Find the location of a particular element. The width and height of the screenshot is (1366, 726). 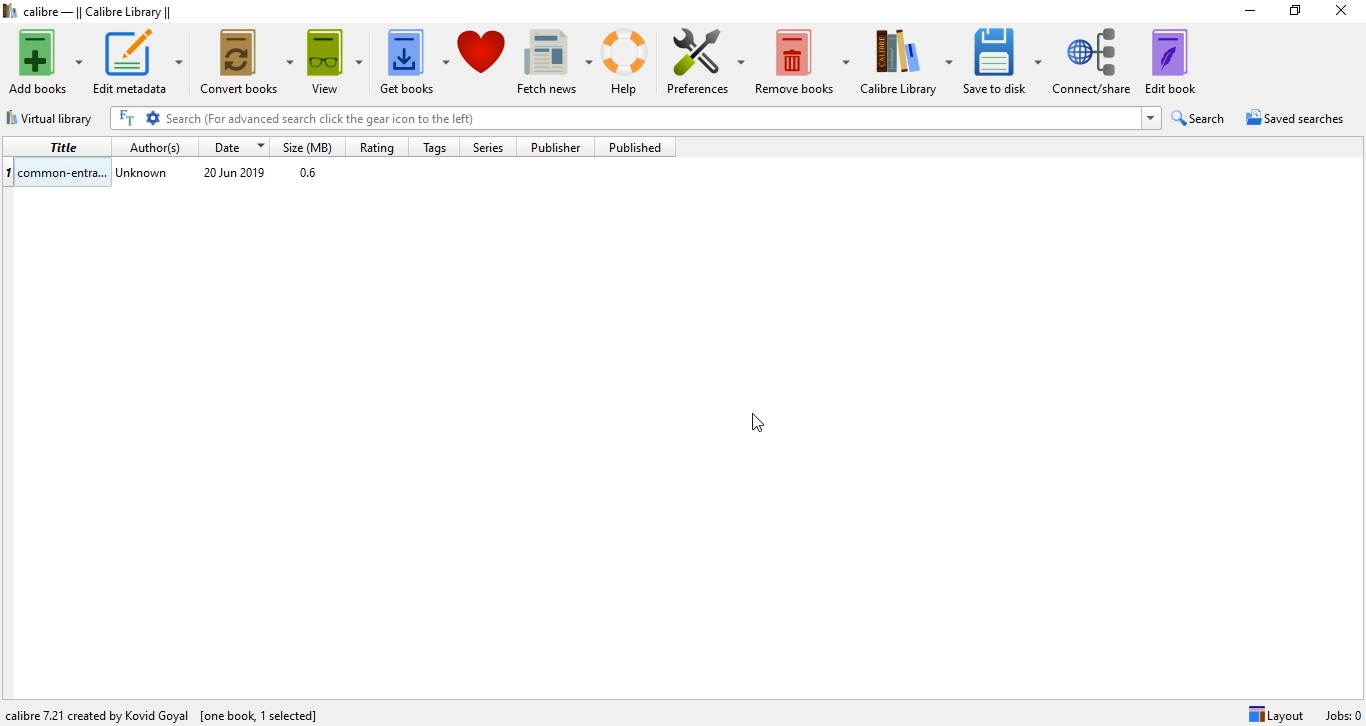

Configure calibre is located at coordinates (167, 711).